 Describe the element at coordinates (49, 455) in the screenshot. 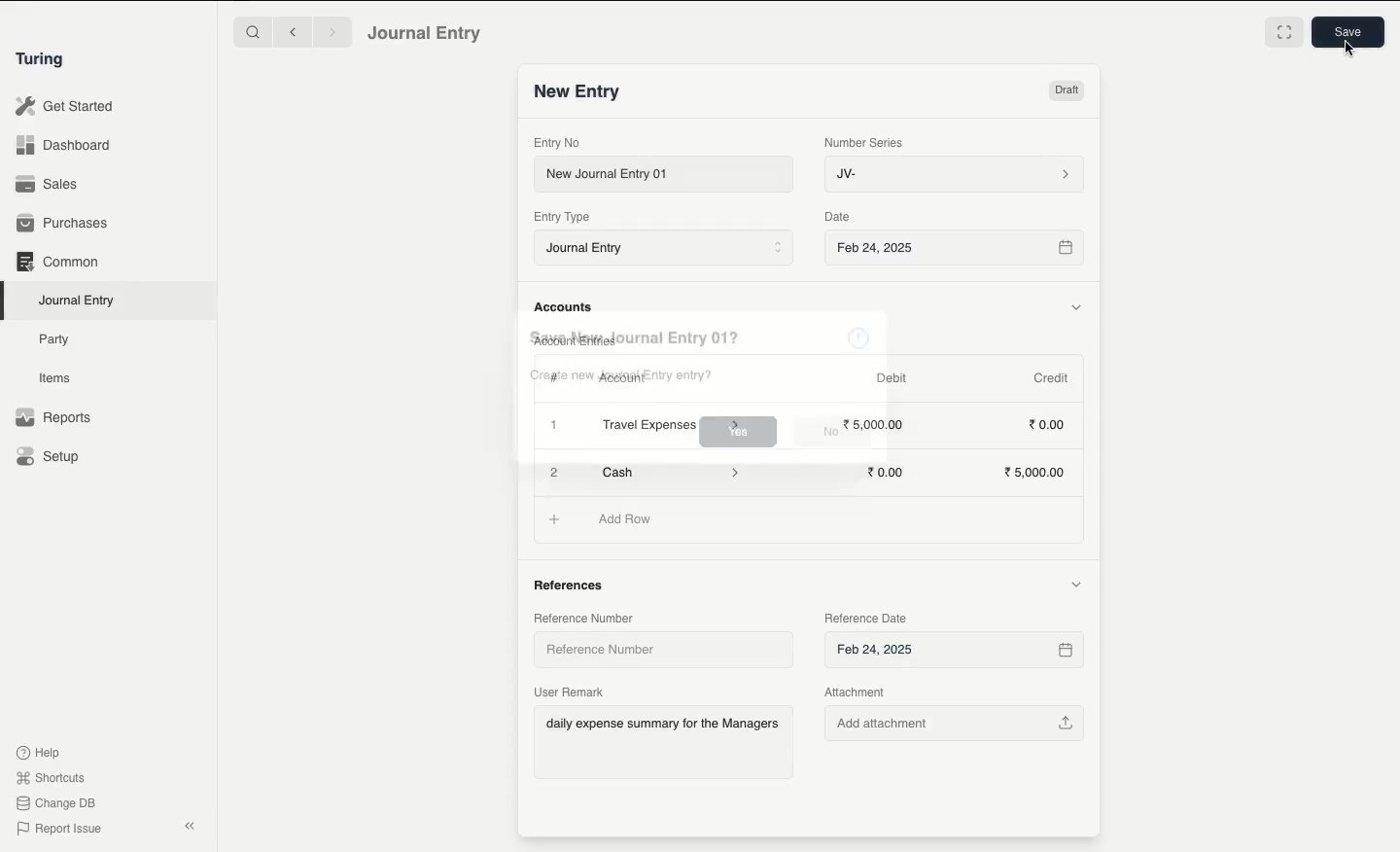

I see `Setup` at that location.